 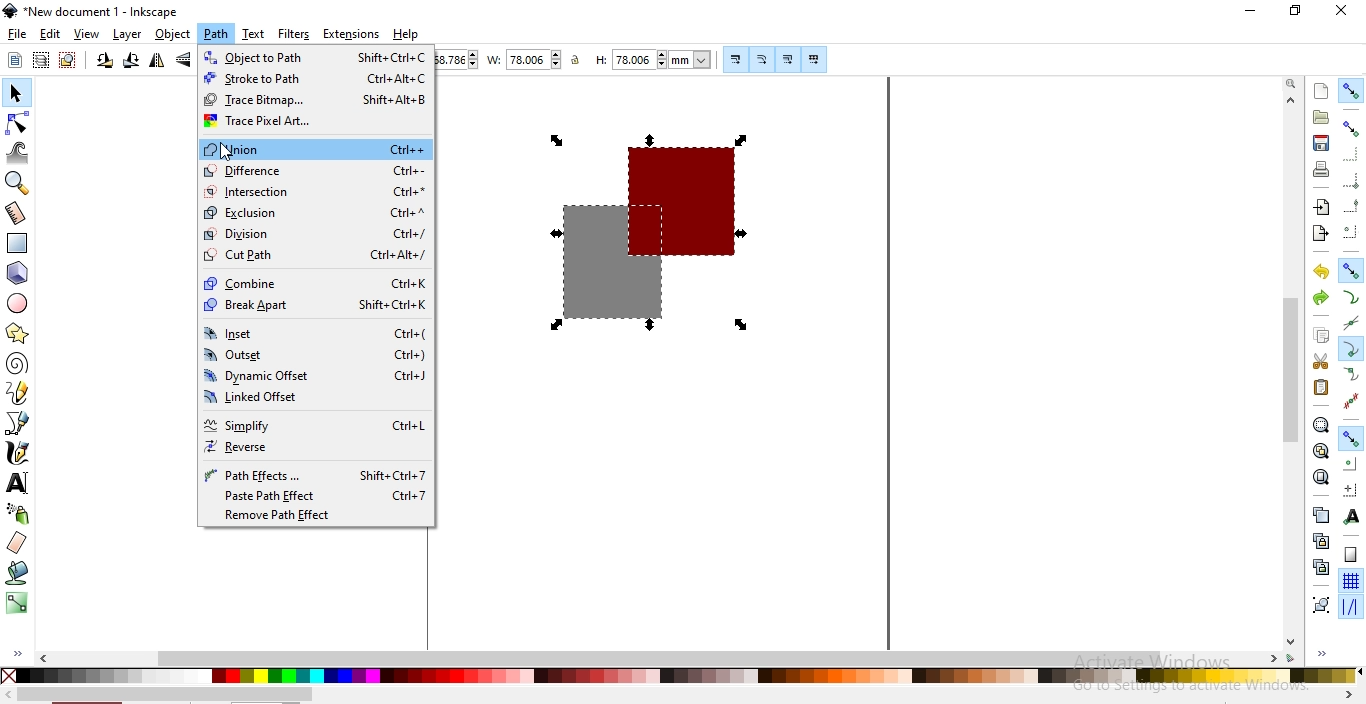 What do you see at coordinates (1352, 178) in the screenshot?
I see `snap bounding box corners` at bounding box center [1352, 178].